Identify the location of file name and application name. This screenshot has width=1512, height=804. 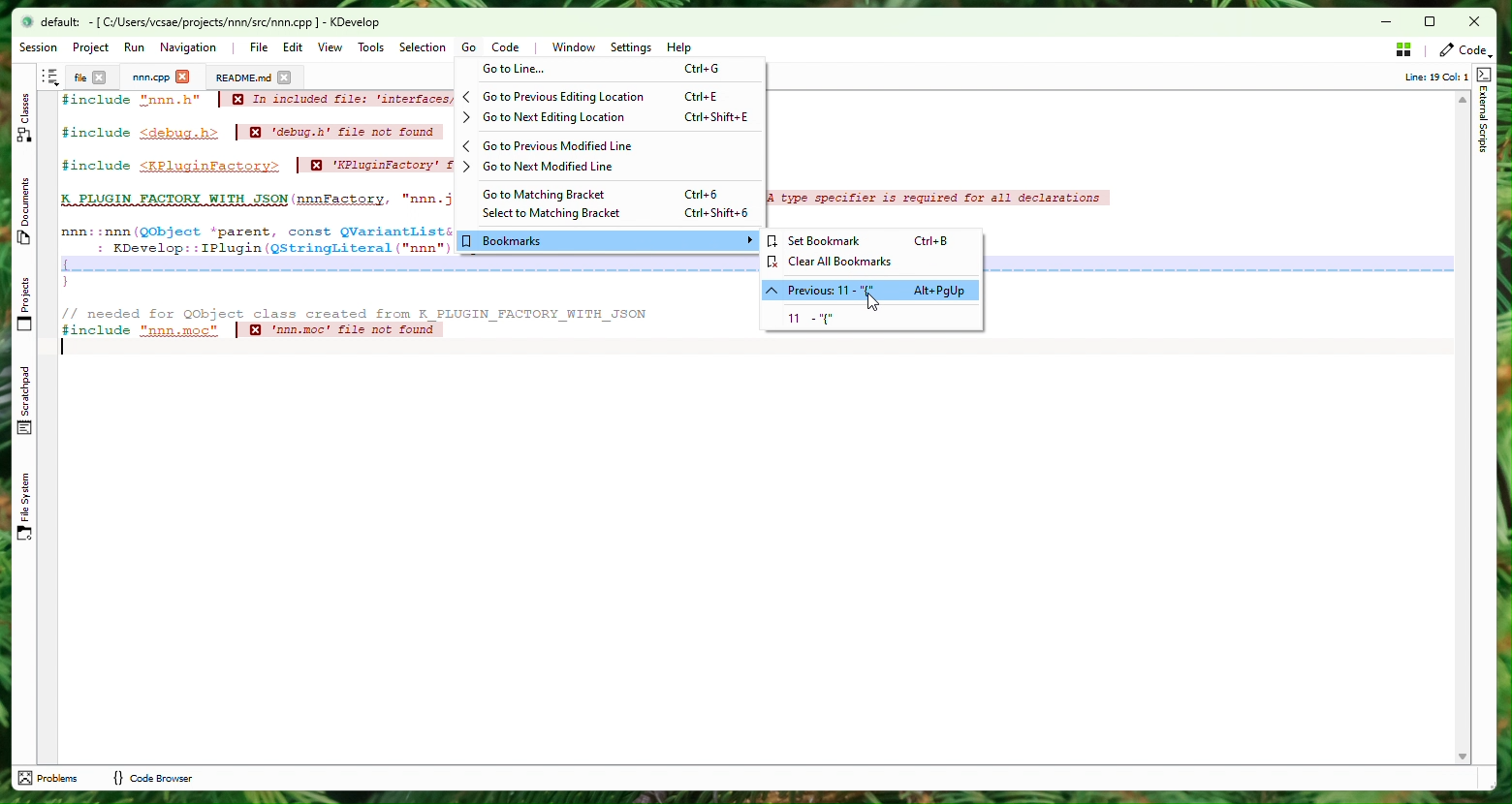
(210, 22).